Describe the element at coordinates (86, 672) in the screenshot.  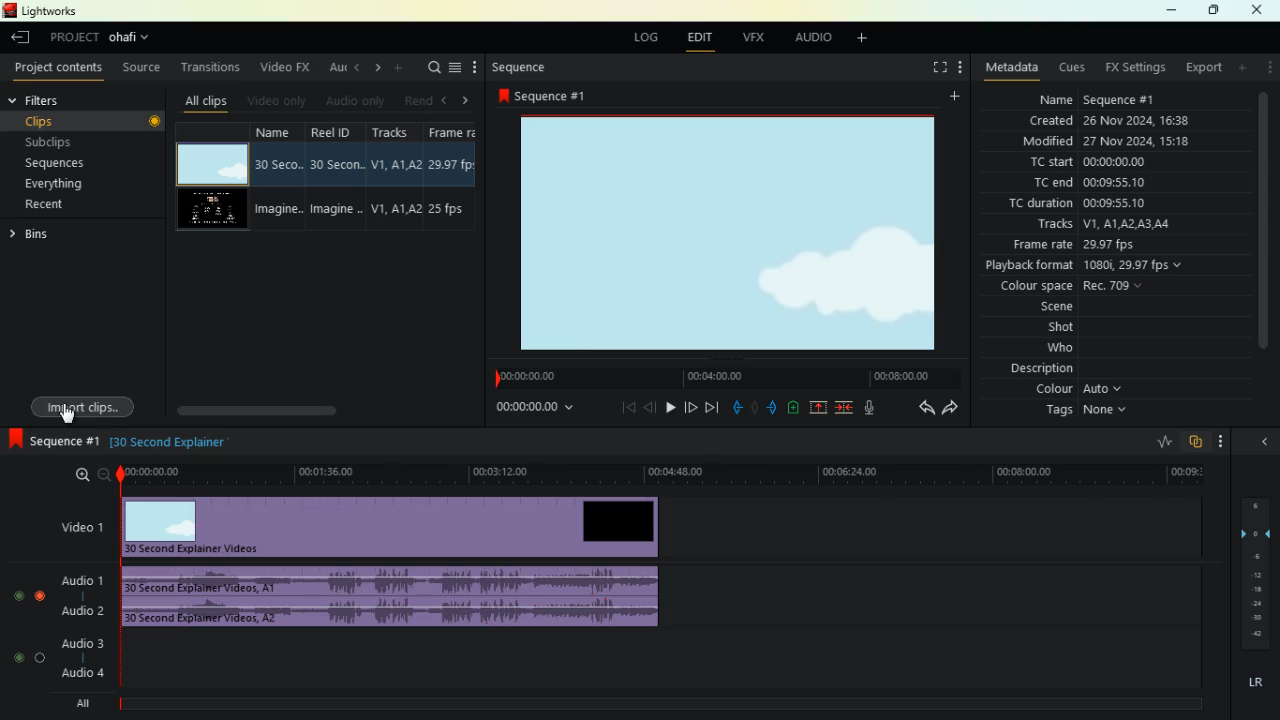
I see `audio4` at that location.